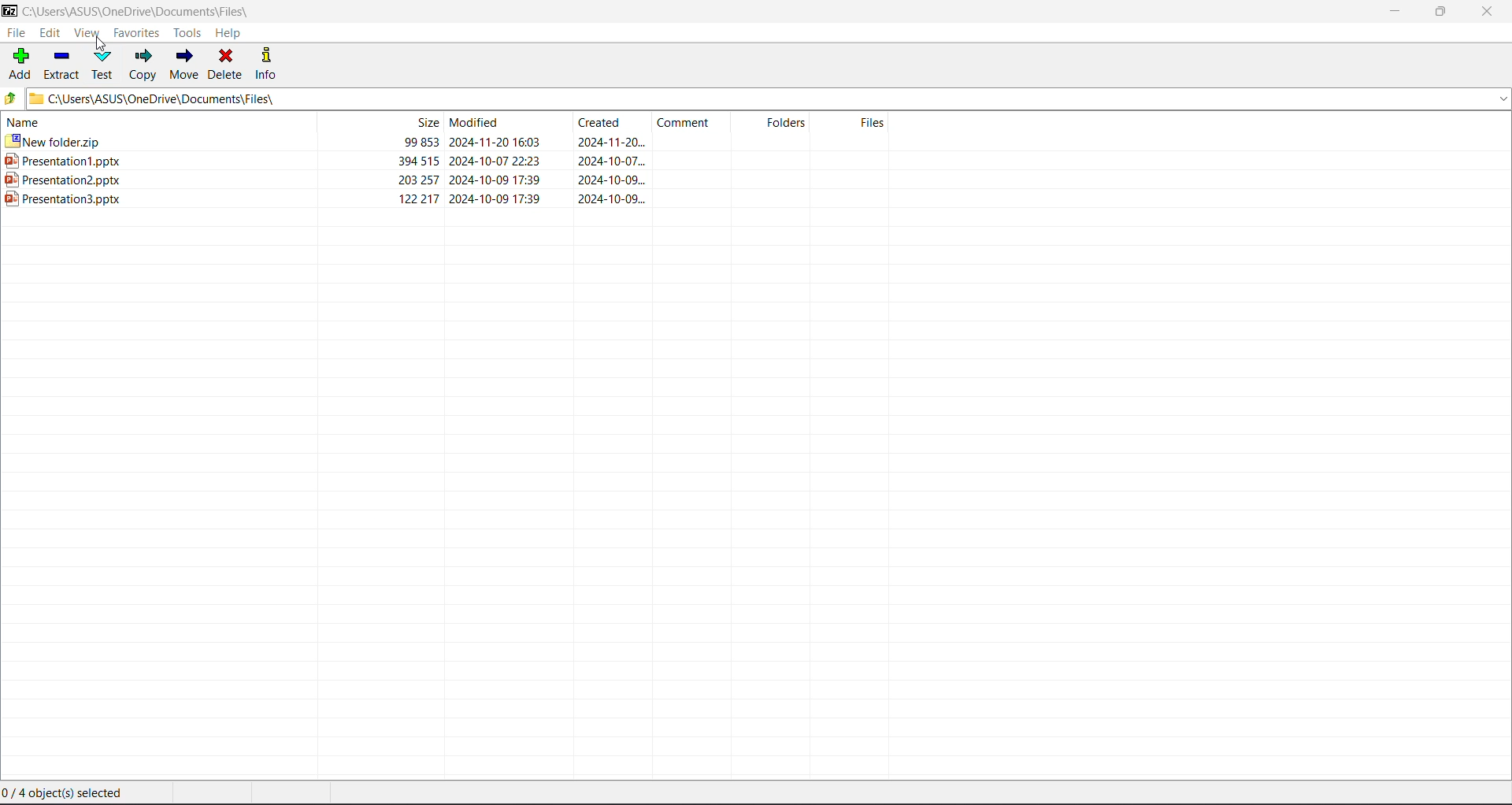 This screenshot has width=1512, height=805. I want to click on created, so click(607, 121).